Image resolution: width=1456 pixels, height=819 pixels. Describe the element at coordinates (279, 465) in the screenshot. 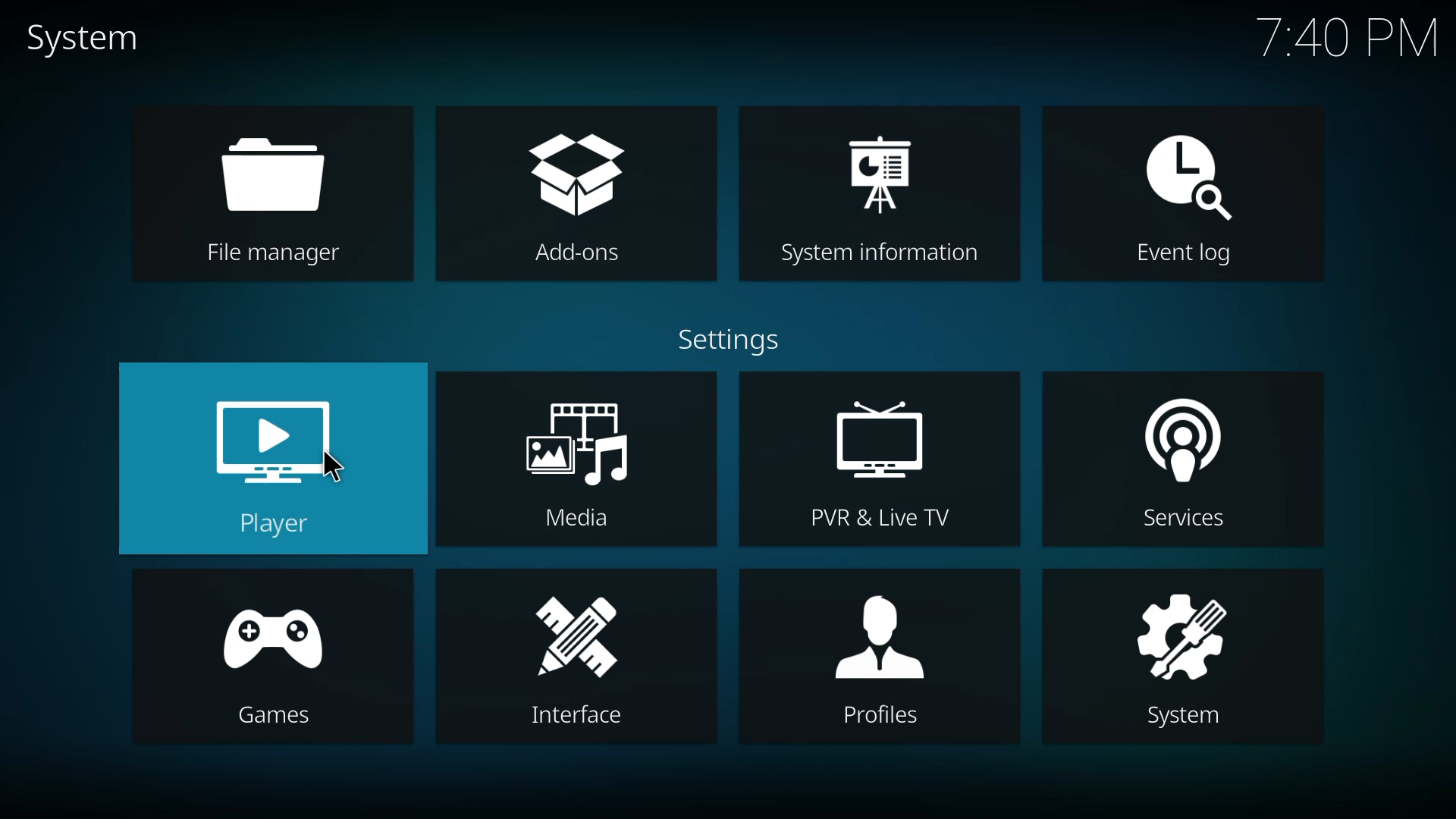

I see `player` at that location.